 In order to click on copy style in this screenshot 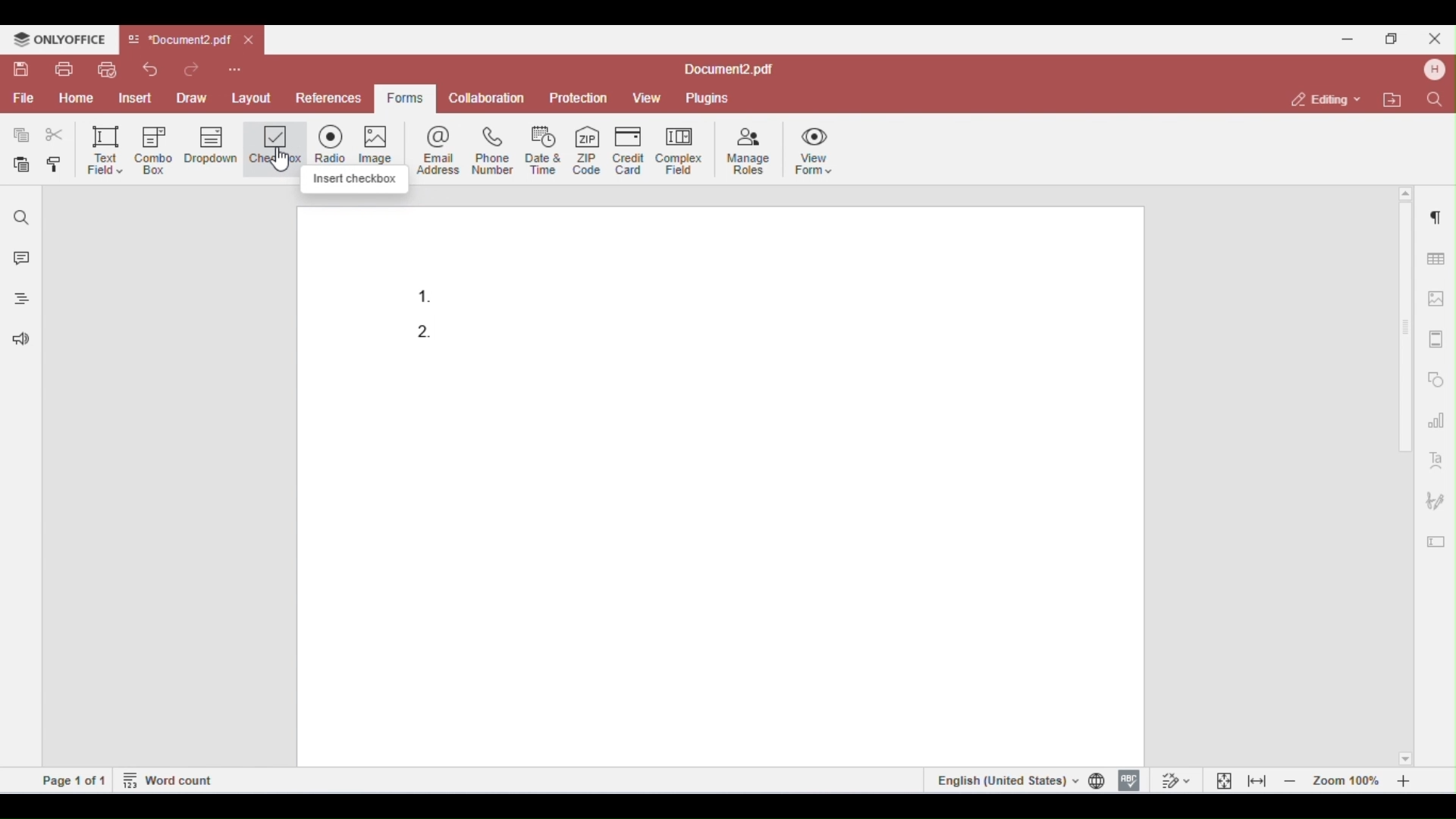, I will do `click(58, 166)`.